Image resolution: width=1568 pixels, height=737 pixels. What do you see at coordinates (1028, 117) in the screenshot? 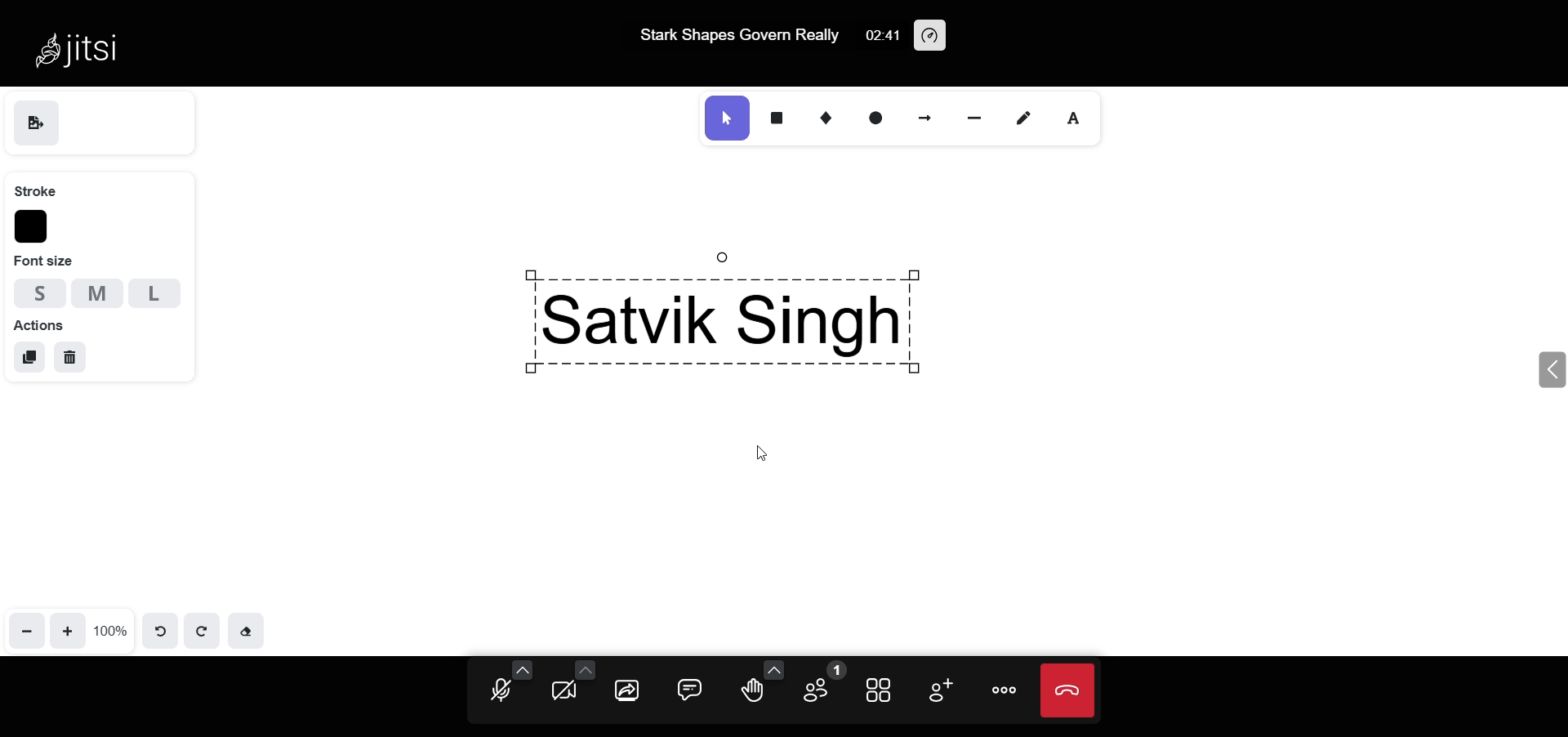
I see `draw` at bounding box center [1028, 117].